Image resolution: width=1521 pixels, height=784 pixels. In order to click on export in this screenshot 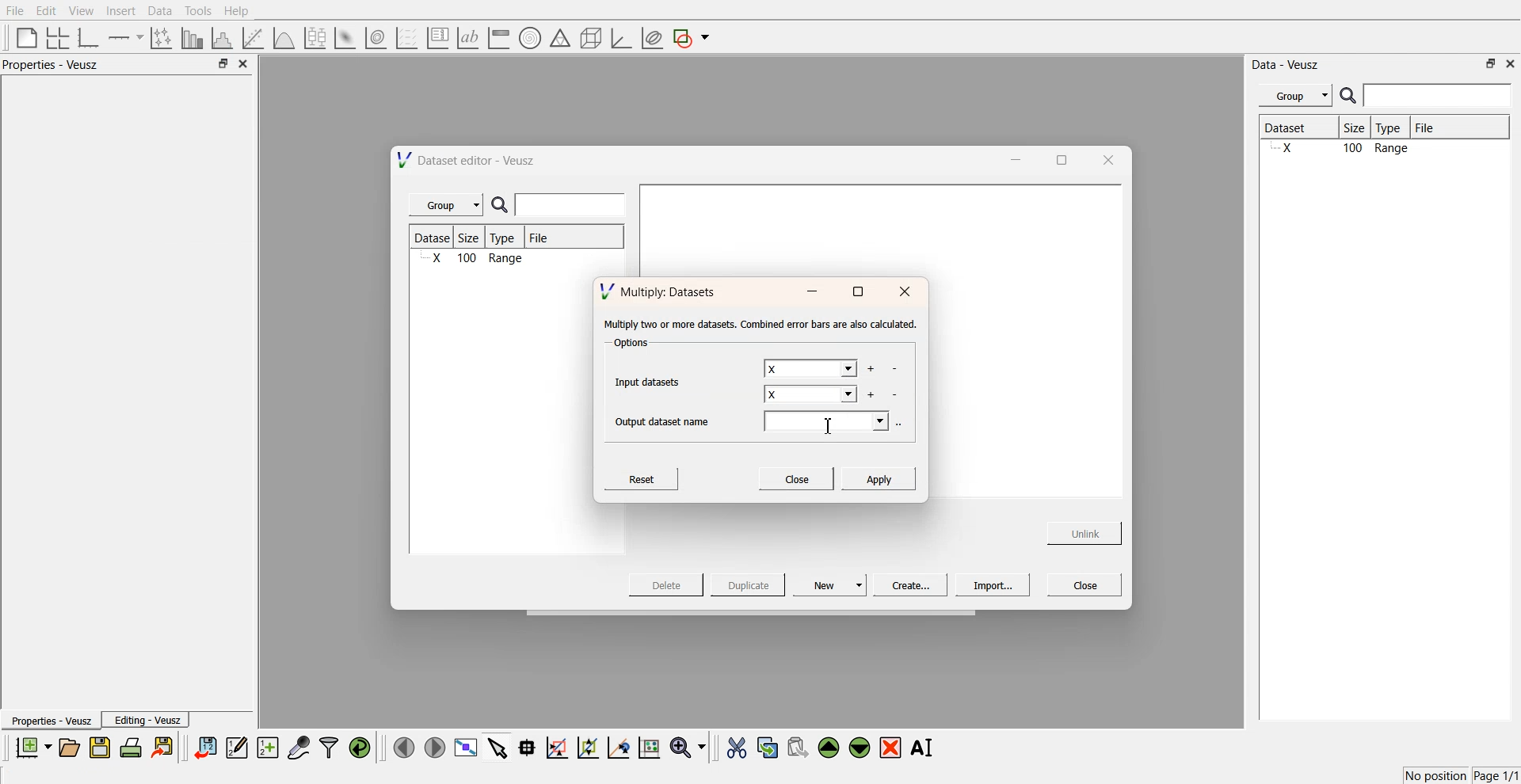, I will do `click(164, 747)`.